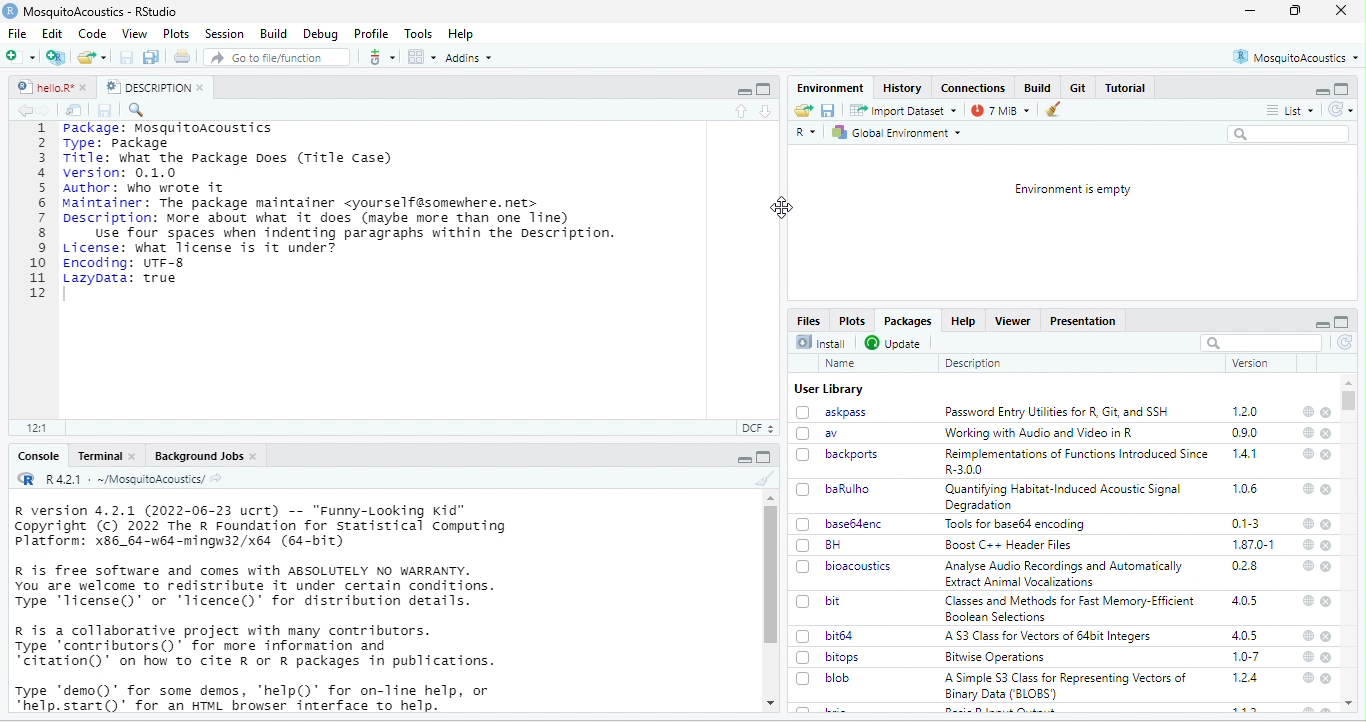  Describe the element at coordinates (176, 33) in the screenshot. I see `Plots` at that location.